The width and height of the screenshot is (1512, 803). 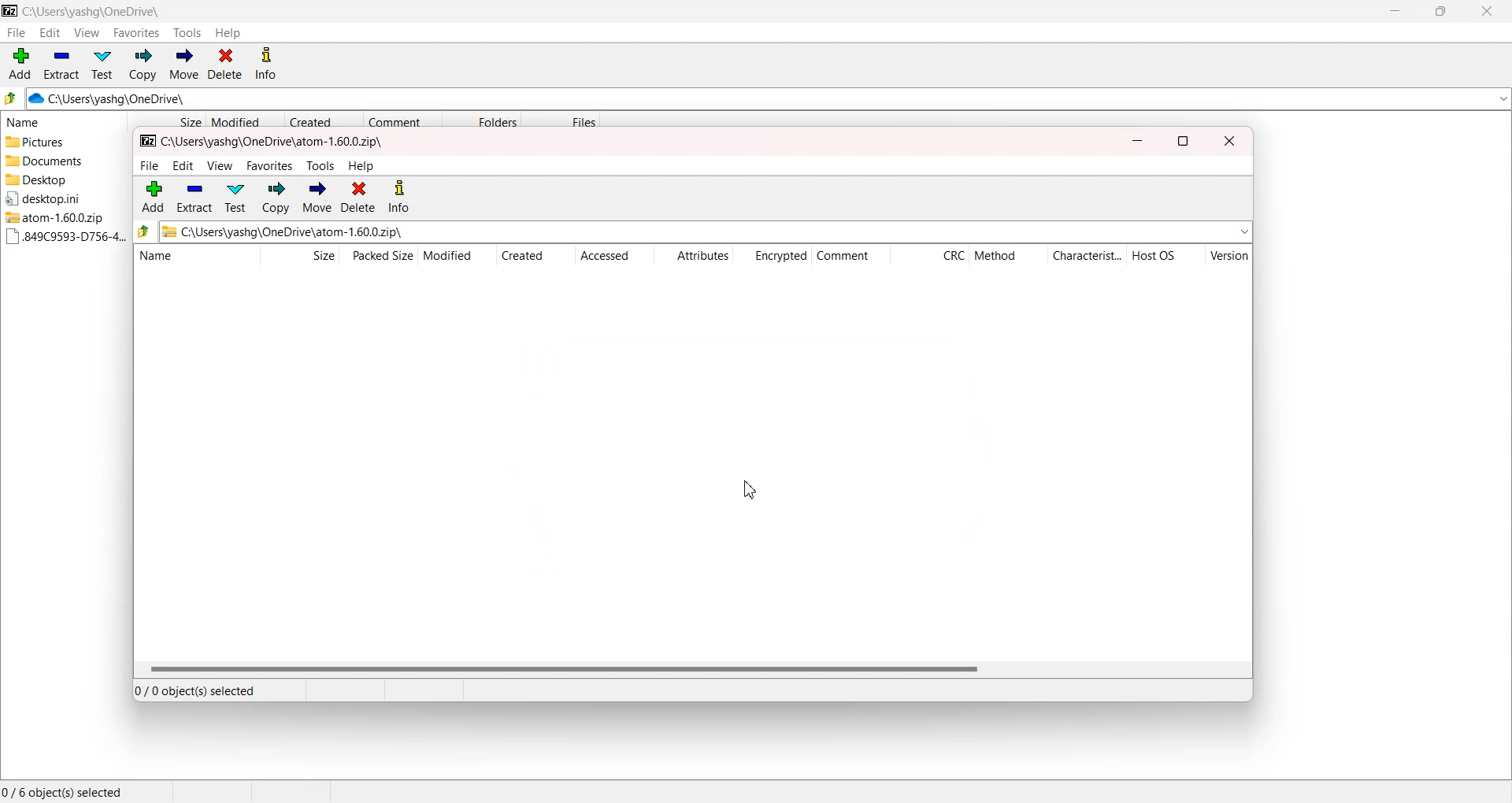 What do you see at coordinates (693, 257) in the screenshot?
I see `Attributes` at bounding box center [693, 257].